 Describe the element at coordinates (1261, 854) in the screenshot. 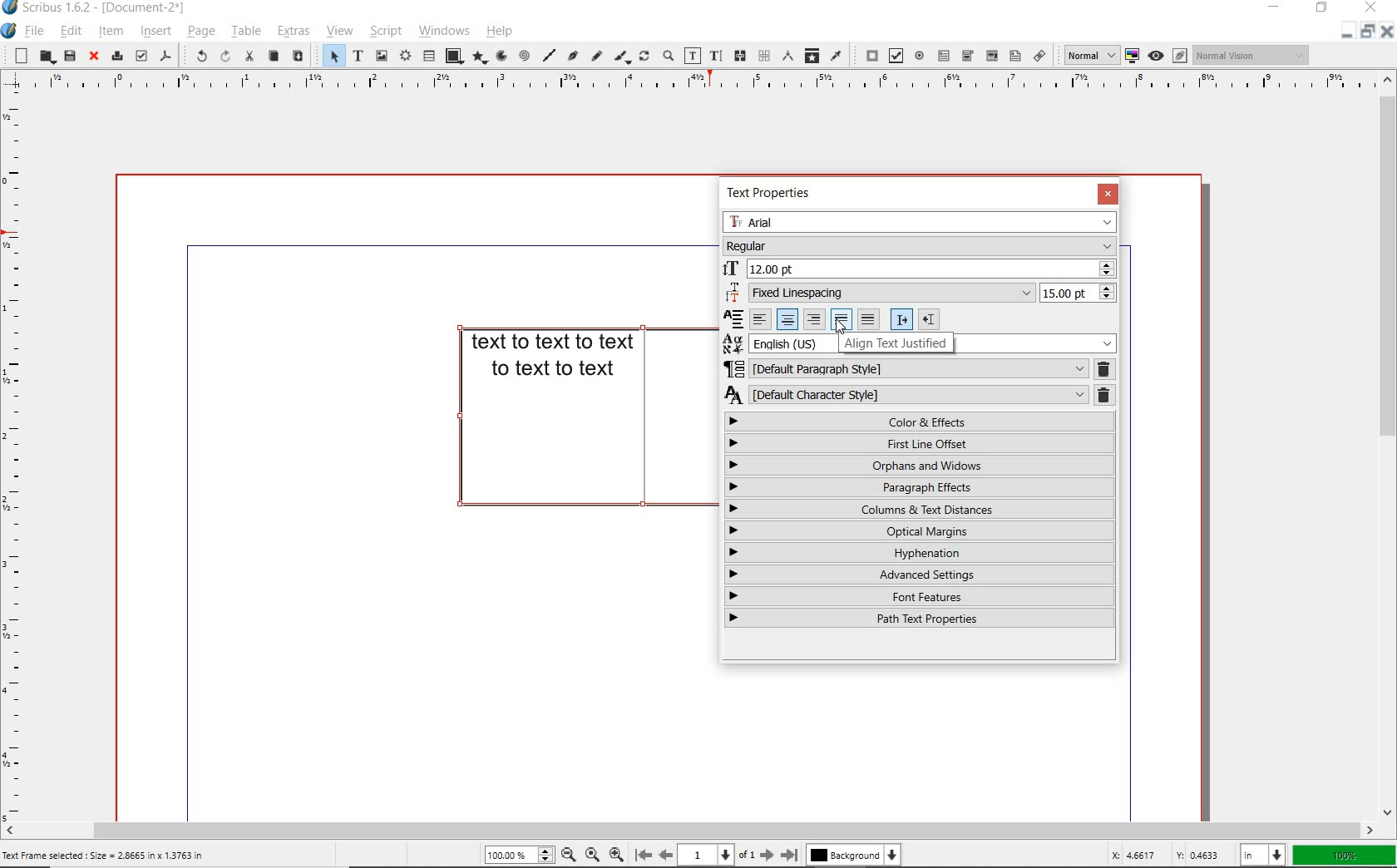

I see `select unit` at that location.